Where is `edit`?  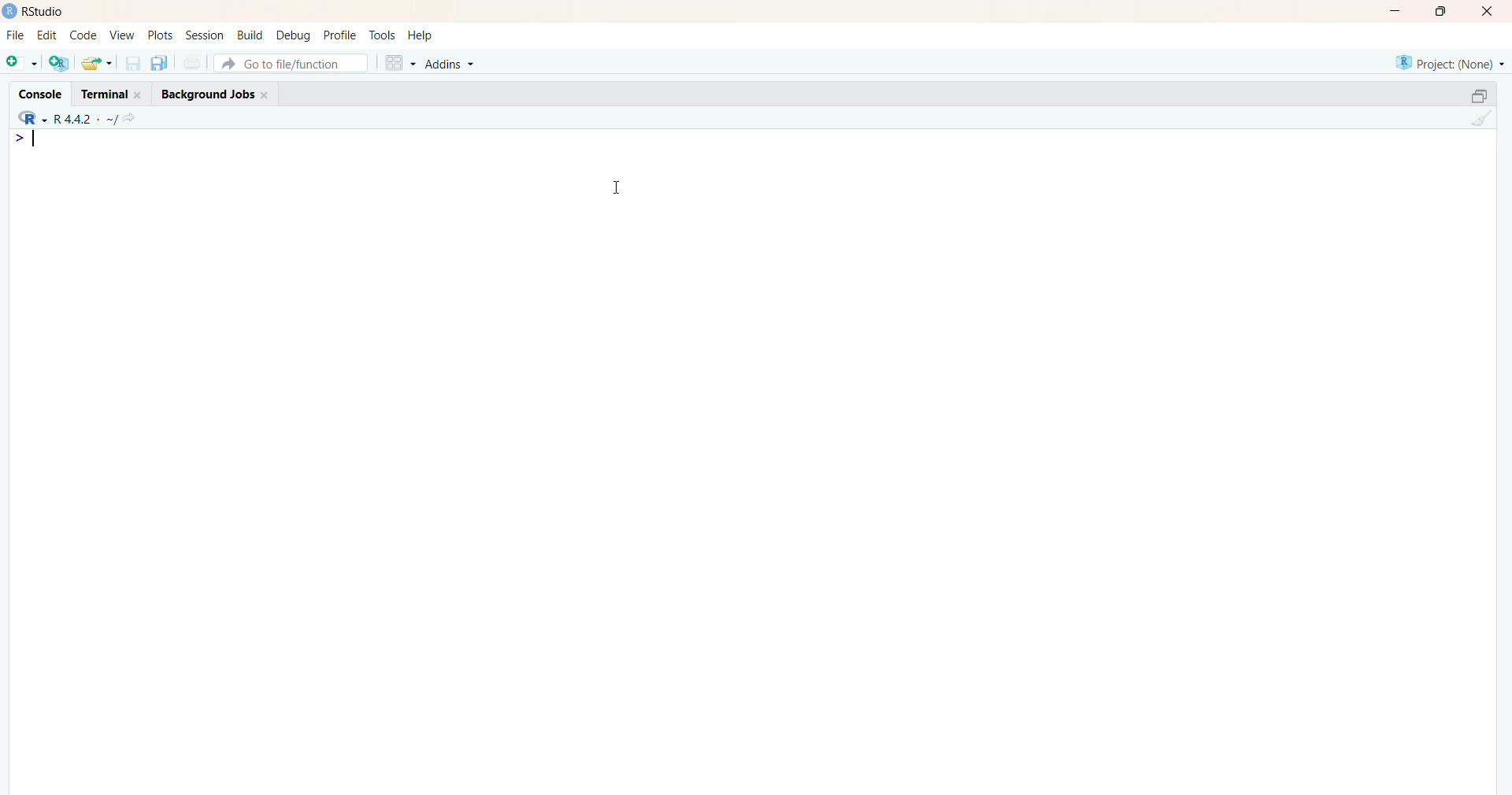
edit is located at coordinates (48, 35).